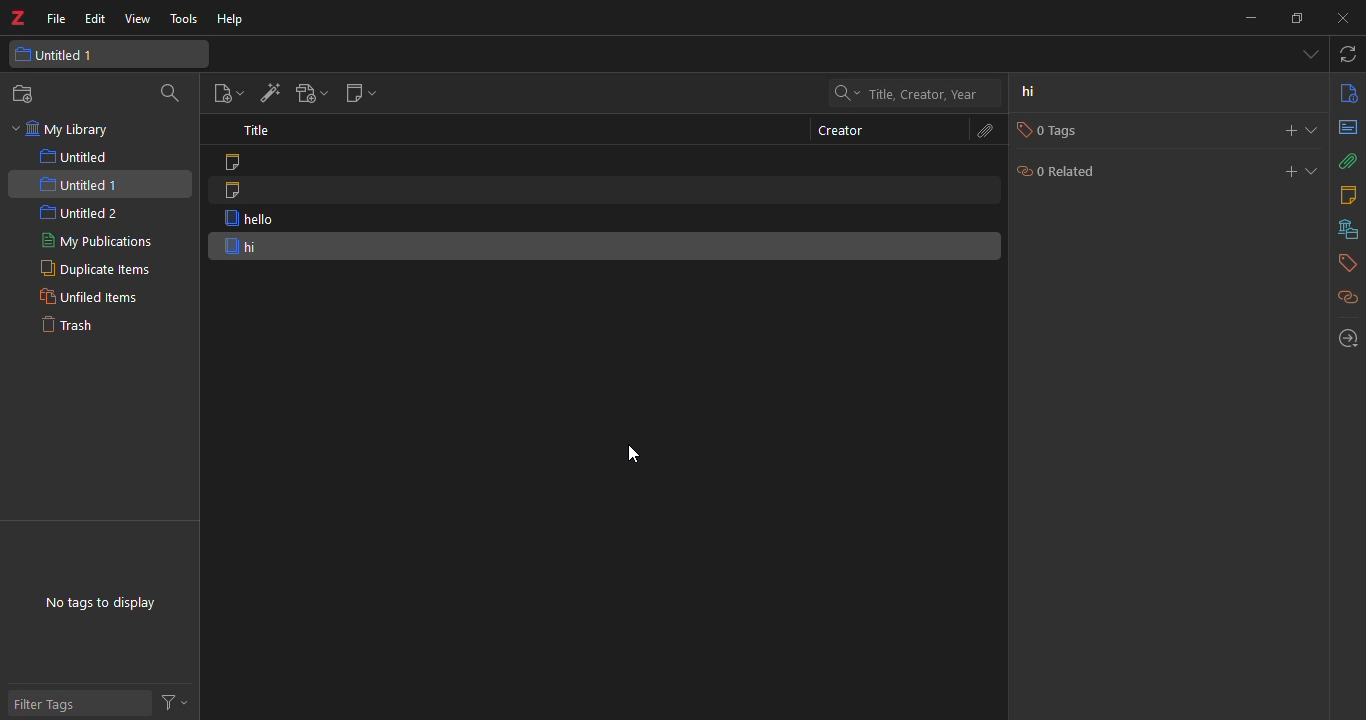 The height and width of the screenshot is (720, 1366). Describe the element at coordinates (90, 297) in the screenshot. I see `unfiled items` at that location.